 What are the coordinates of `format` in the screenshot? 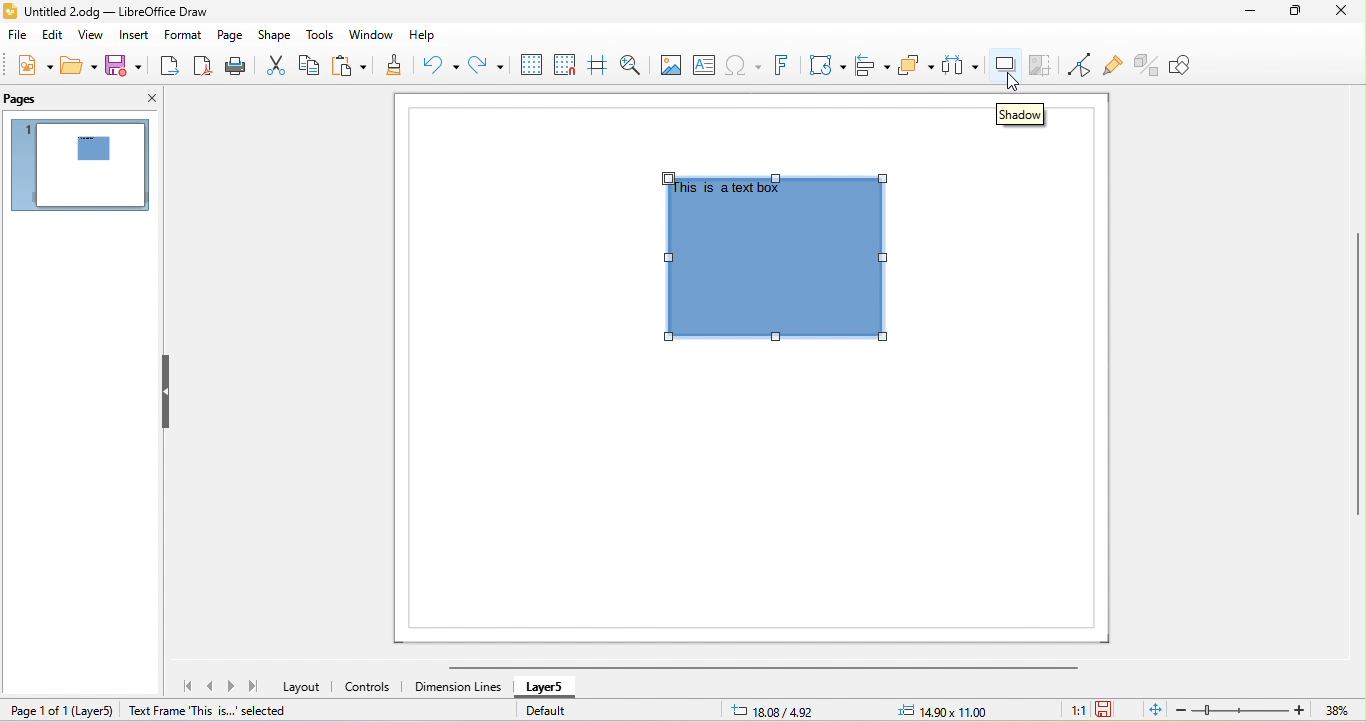 It's located at (181, 37).